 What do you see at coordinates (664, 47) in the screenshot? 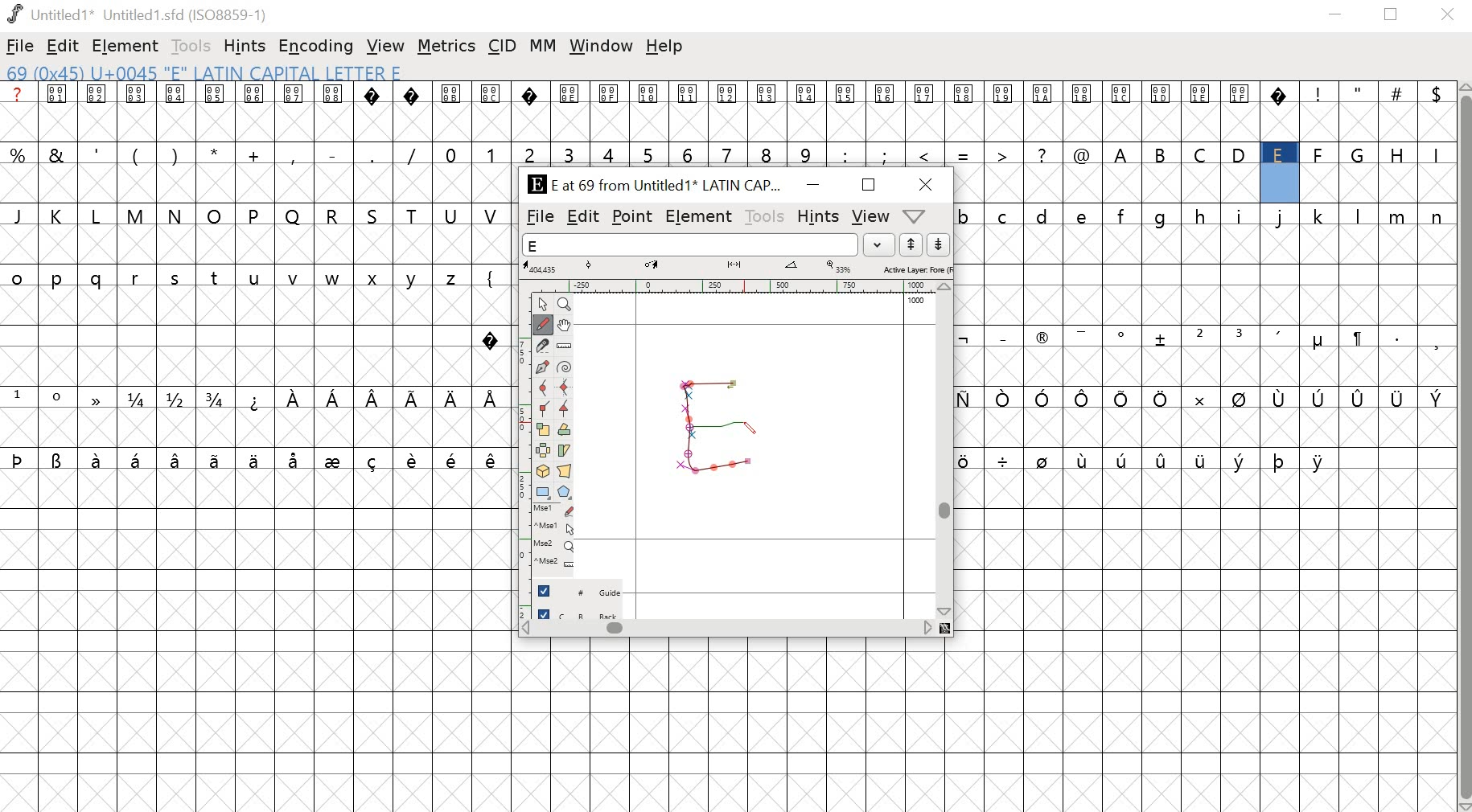
I see `help` at bounding box center [664, 47].